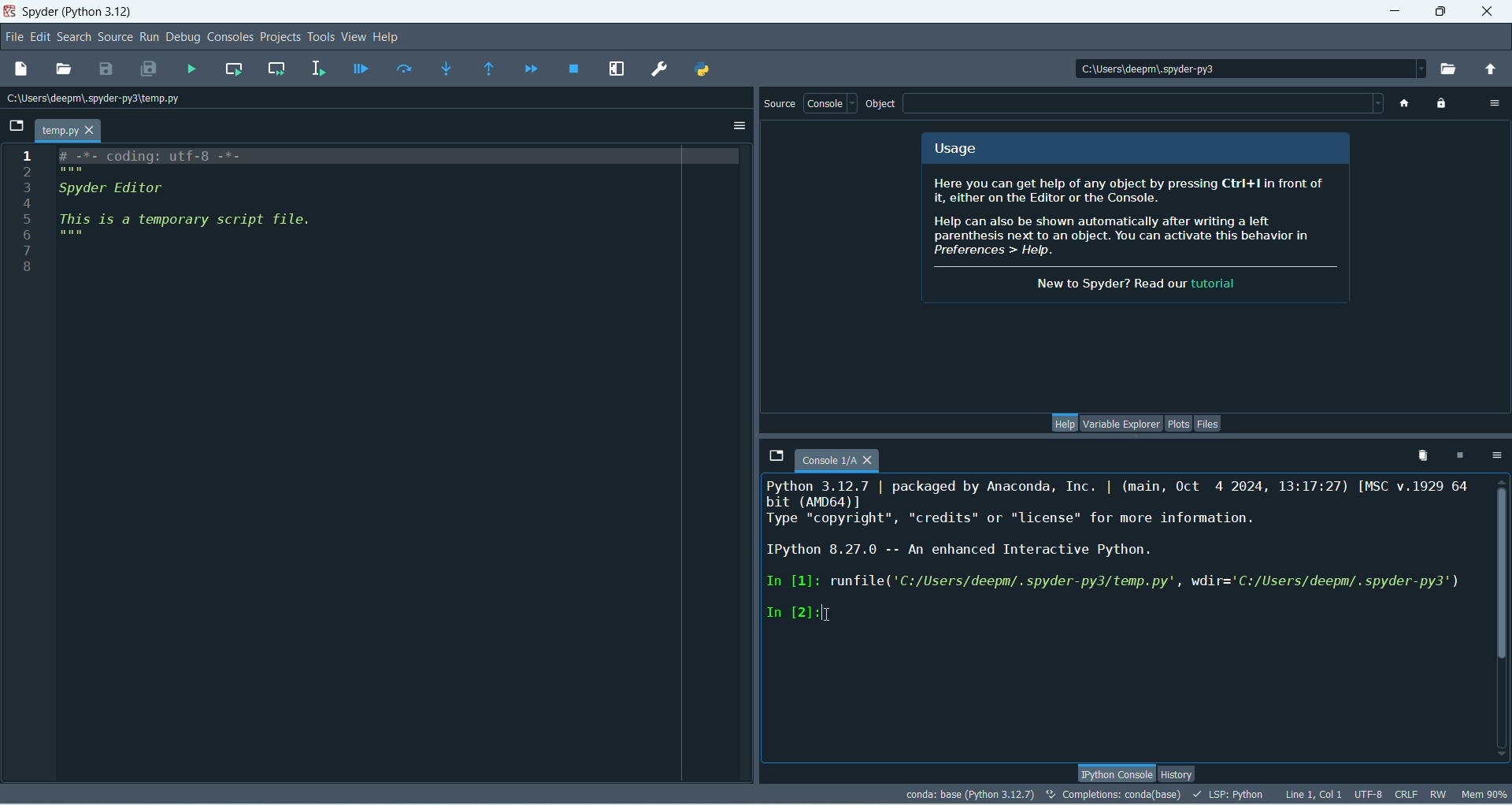  What do you see at coordinates (106, 69) in the screenshot?
I see `save` at bounding box center [106, 69].